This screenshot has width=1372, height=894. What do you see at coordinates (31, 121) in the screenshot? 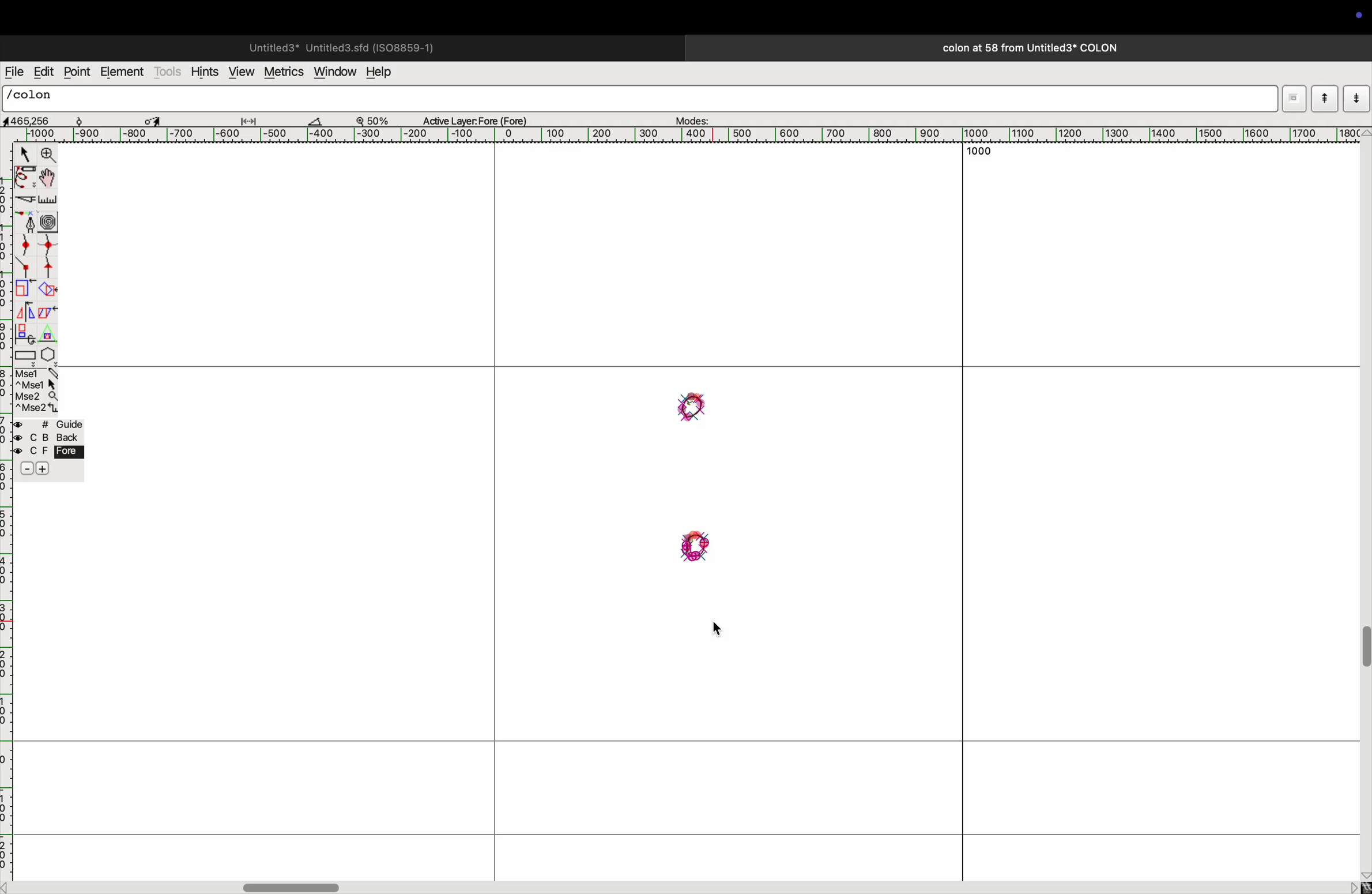
I see `aspect ratio` at bounding box center [31, 121].